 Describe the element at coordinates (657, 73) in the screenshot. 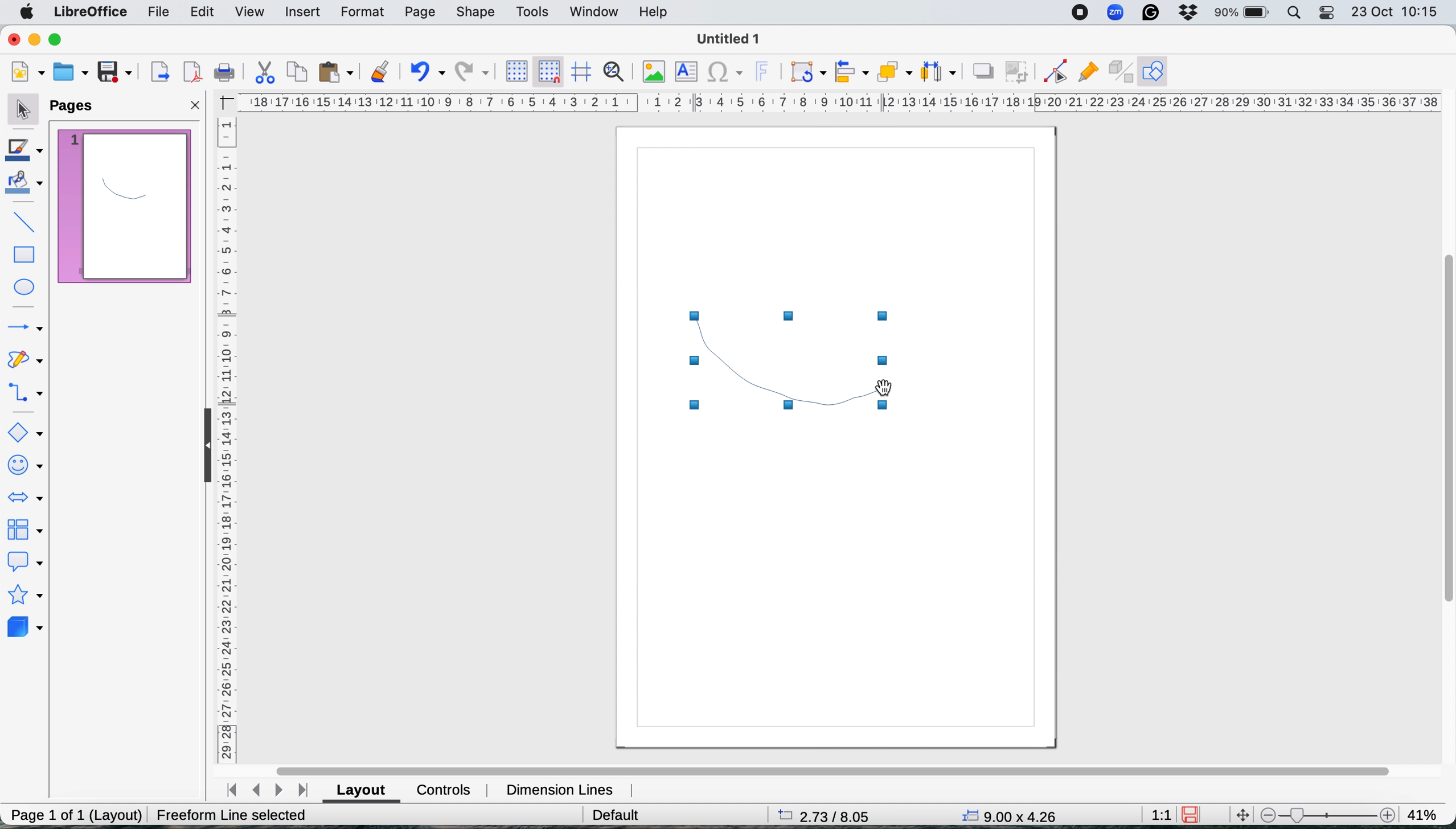

I see `insert image` at that location.